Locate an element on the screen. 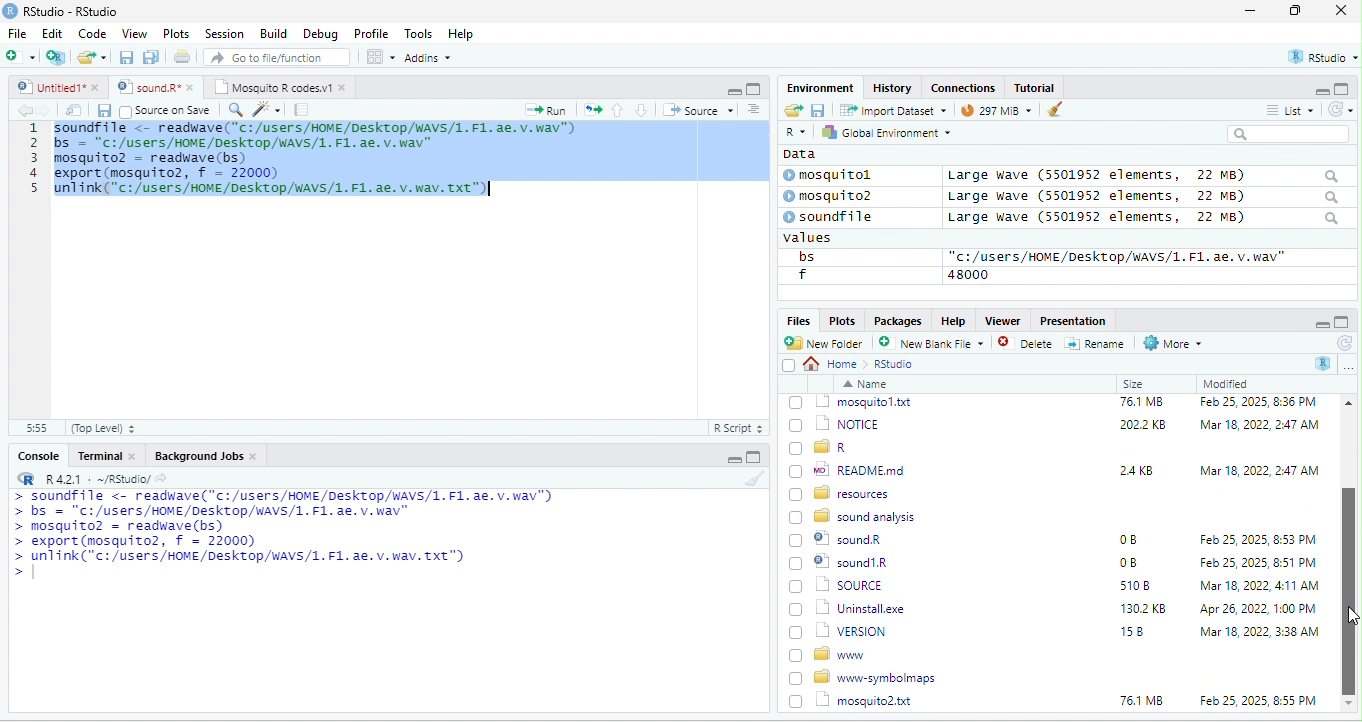 The height and width of the screenshot is (722, 1362). Adonns  is located at coordinates (428, 61).